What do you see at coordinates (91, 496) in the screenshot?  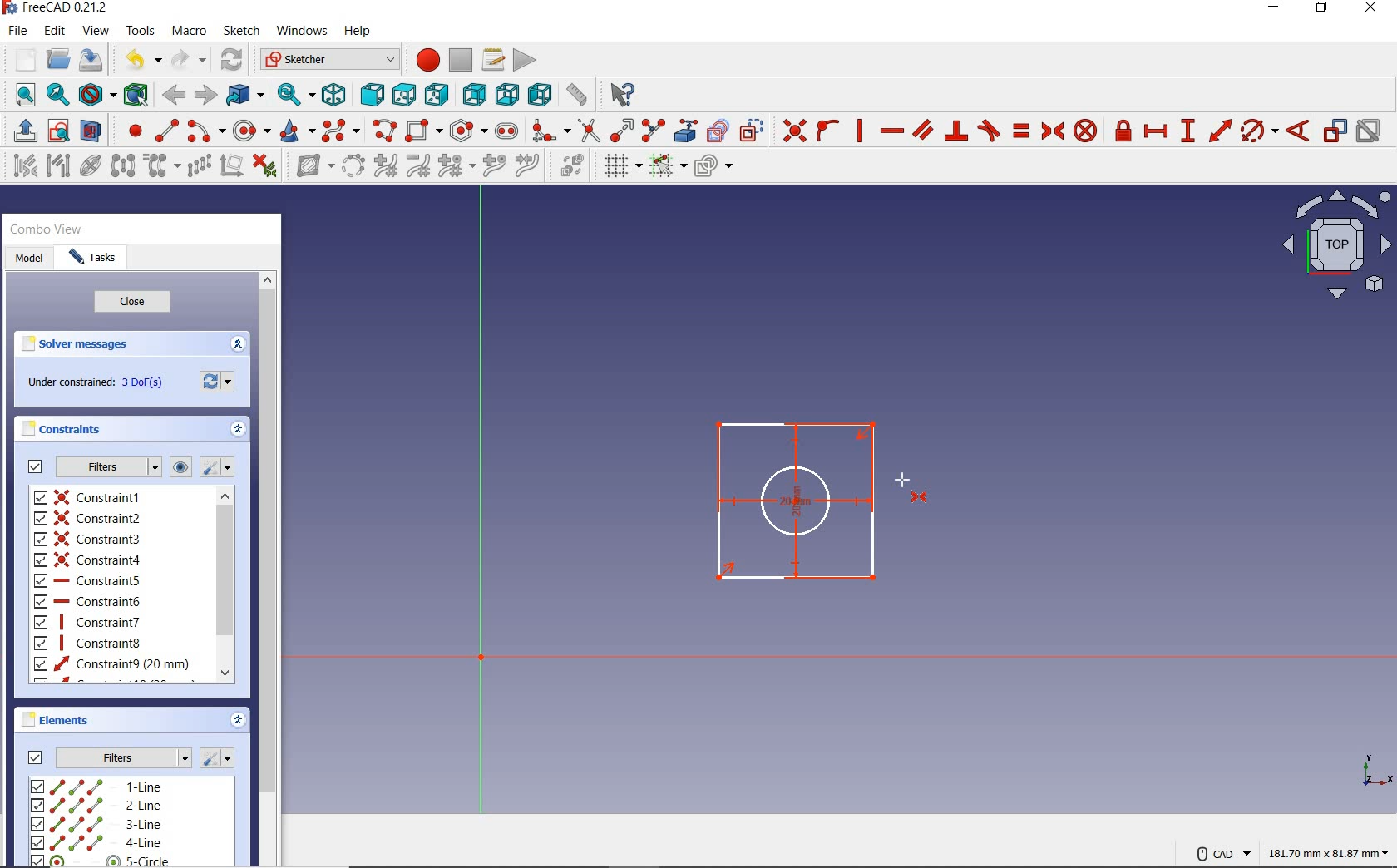 I see `constraint1` at bounding box center [91, 496].